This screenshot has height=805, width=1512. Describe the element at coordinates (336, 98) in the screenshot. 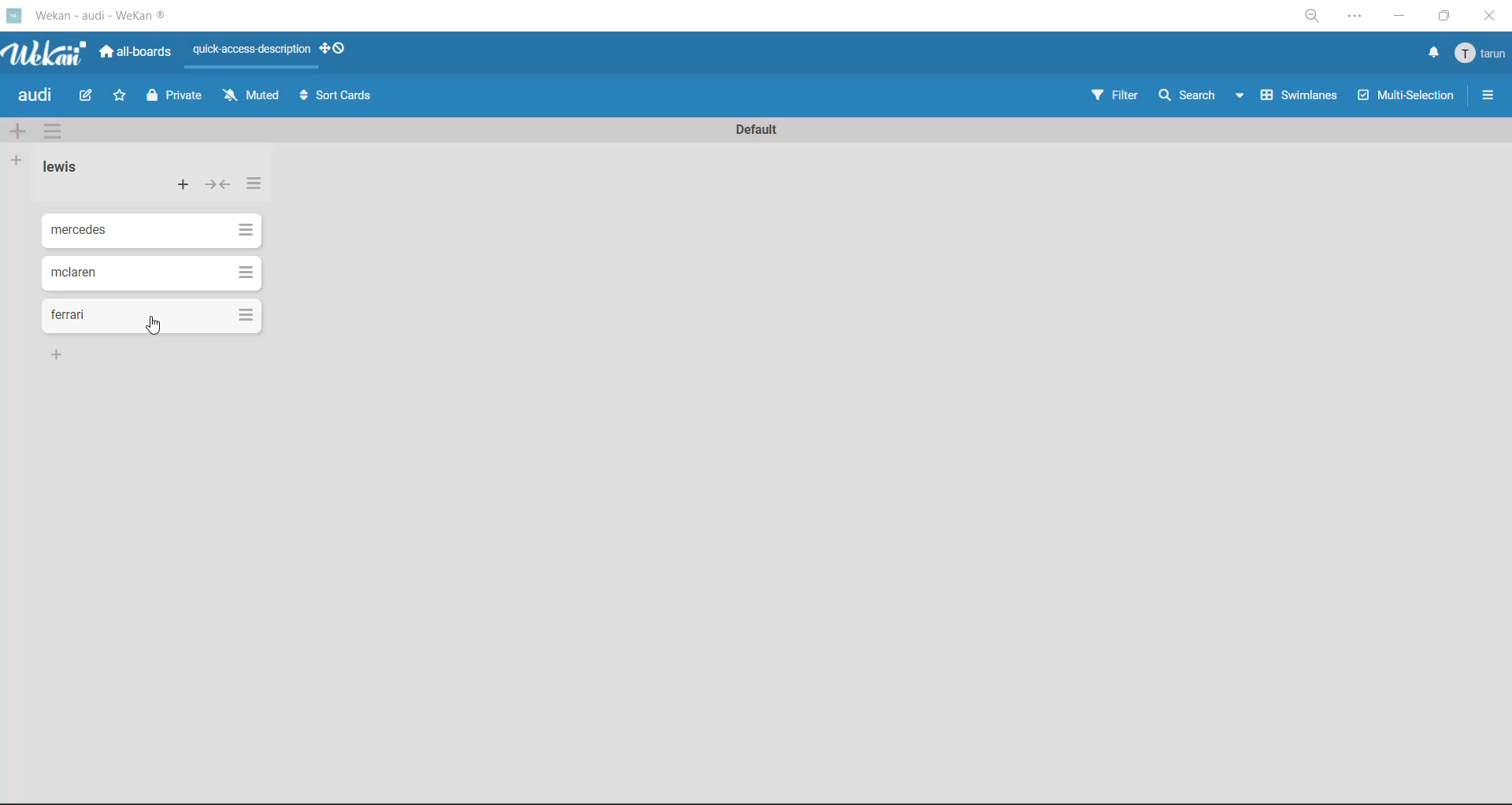

I see `sort cards` at that location.